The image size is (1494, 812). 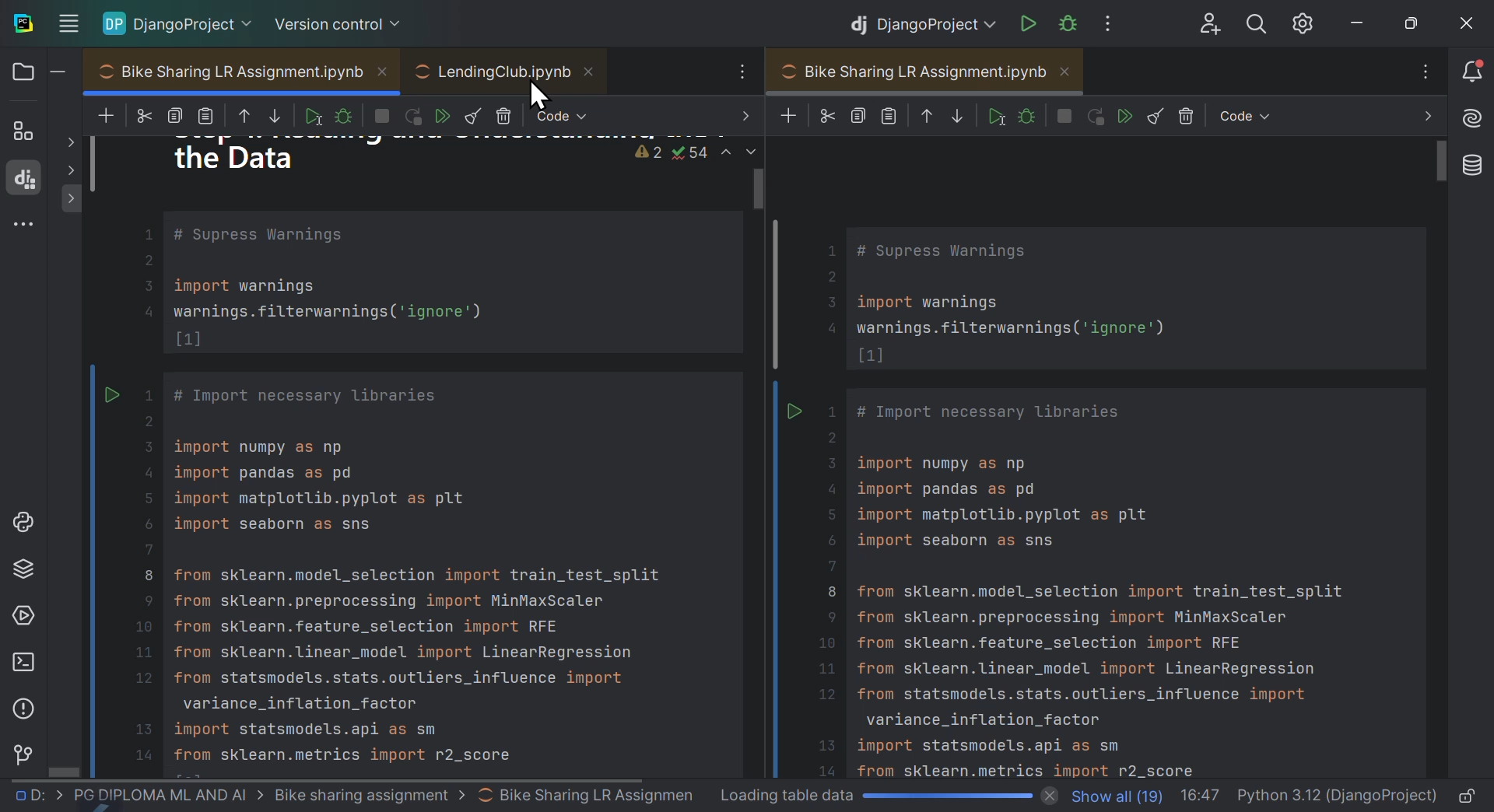 I want to click on restart kernel, so click(x=1095, y=116).